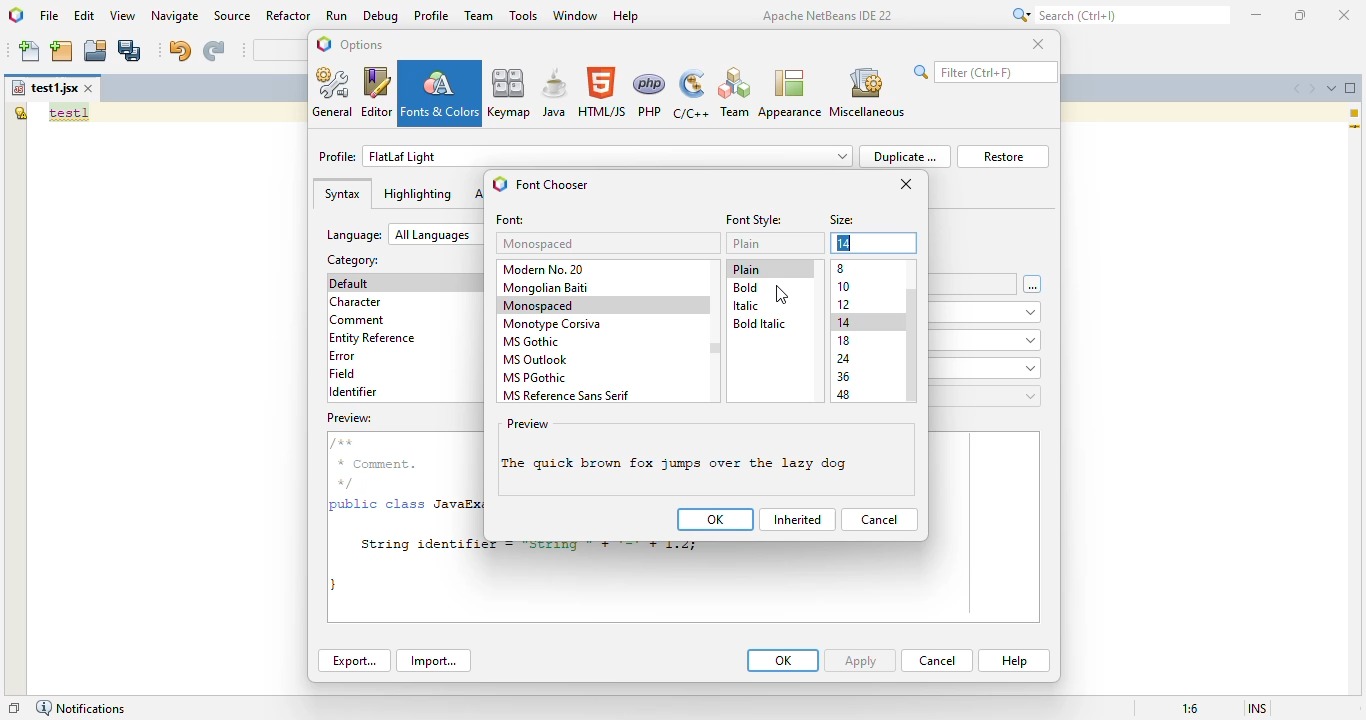 This screenshot has width=1366, height=720. I want to click on logo, so click(15, 14).